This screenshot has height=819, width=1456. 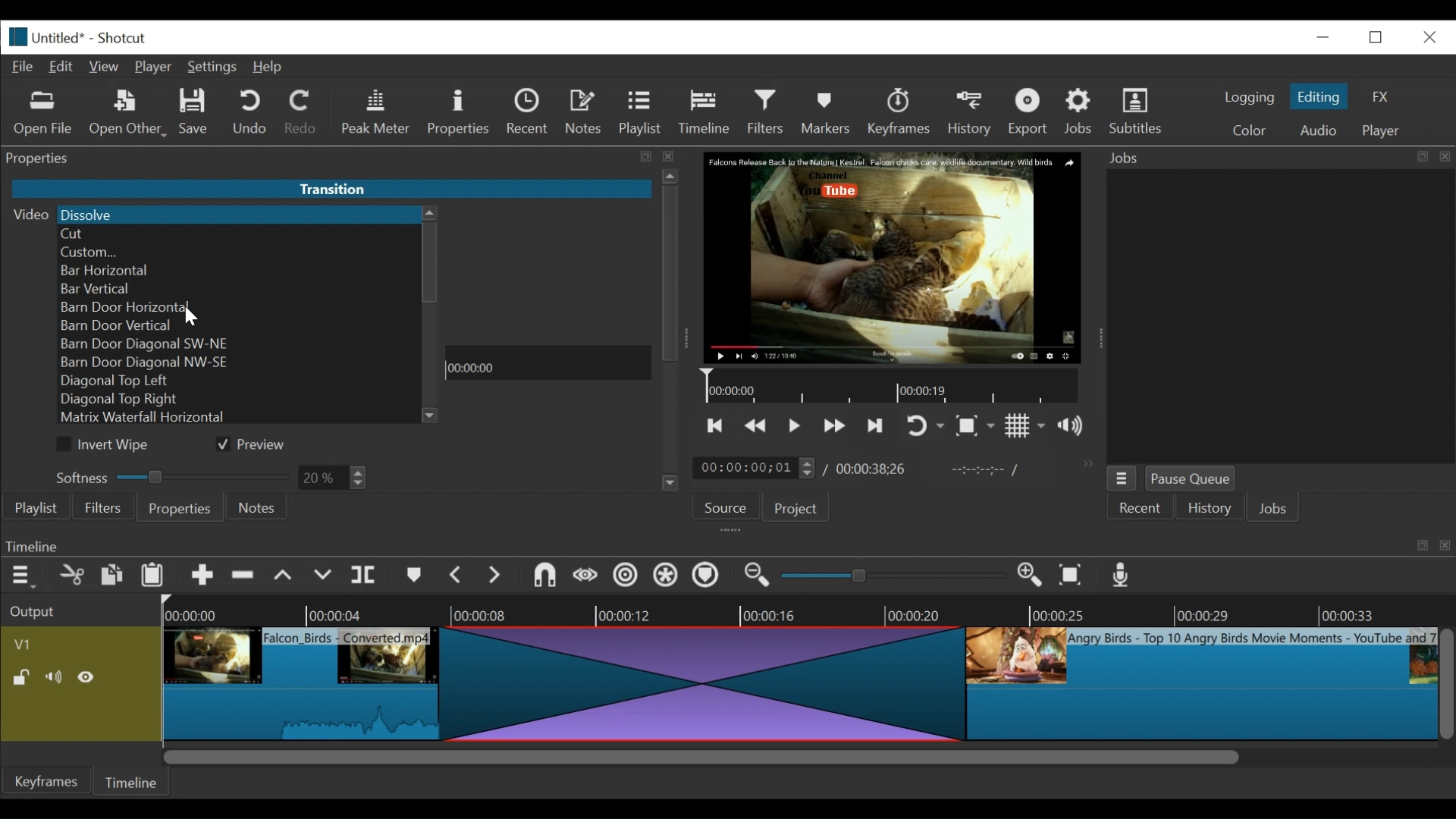 What do you see at coordinates (240, 419) in the screenshot?
I see `Matrix Waterfall Horizontal` at bounding box center [240, 419].